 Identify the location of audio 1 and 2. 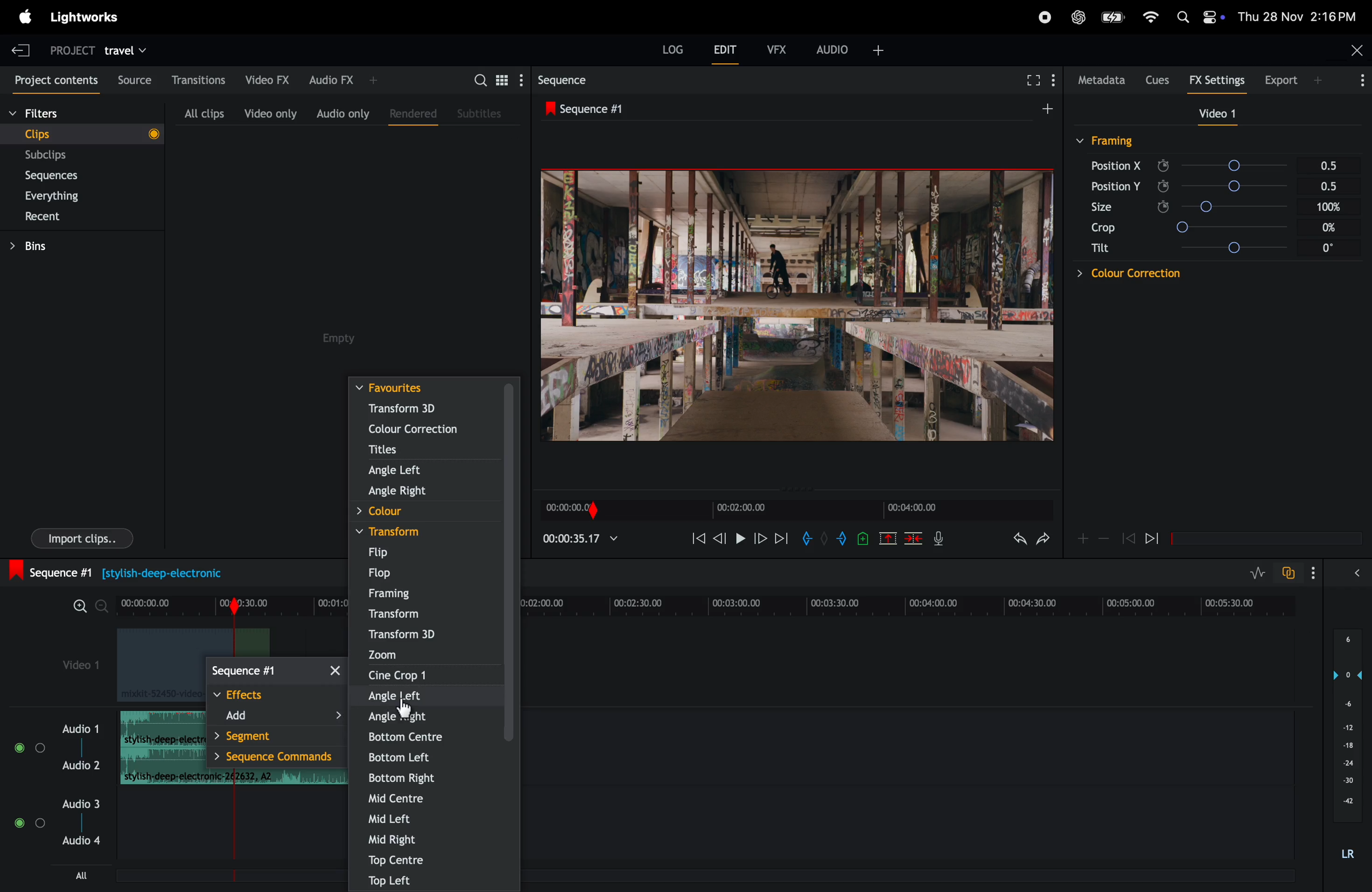
(58, 753).